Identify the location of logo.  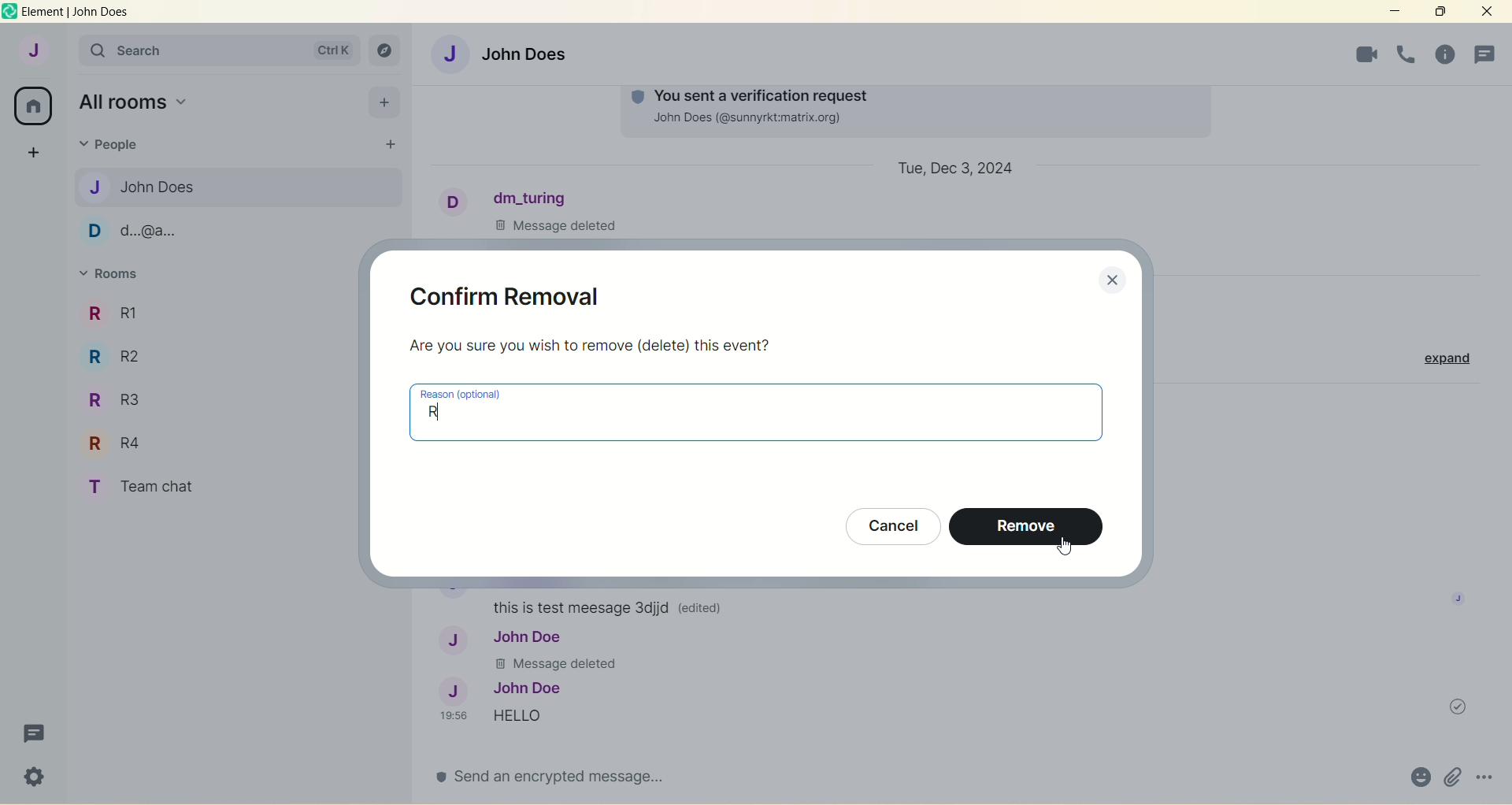
(9, 13).